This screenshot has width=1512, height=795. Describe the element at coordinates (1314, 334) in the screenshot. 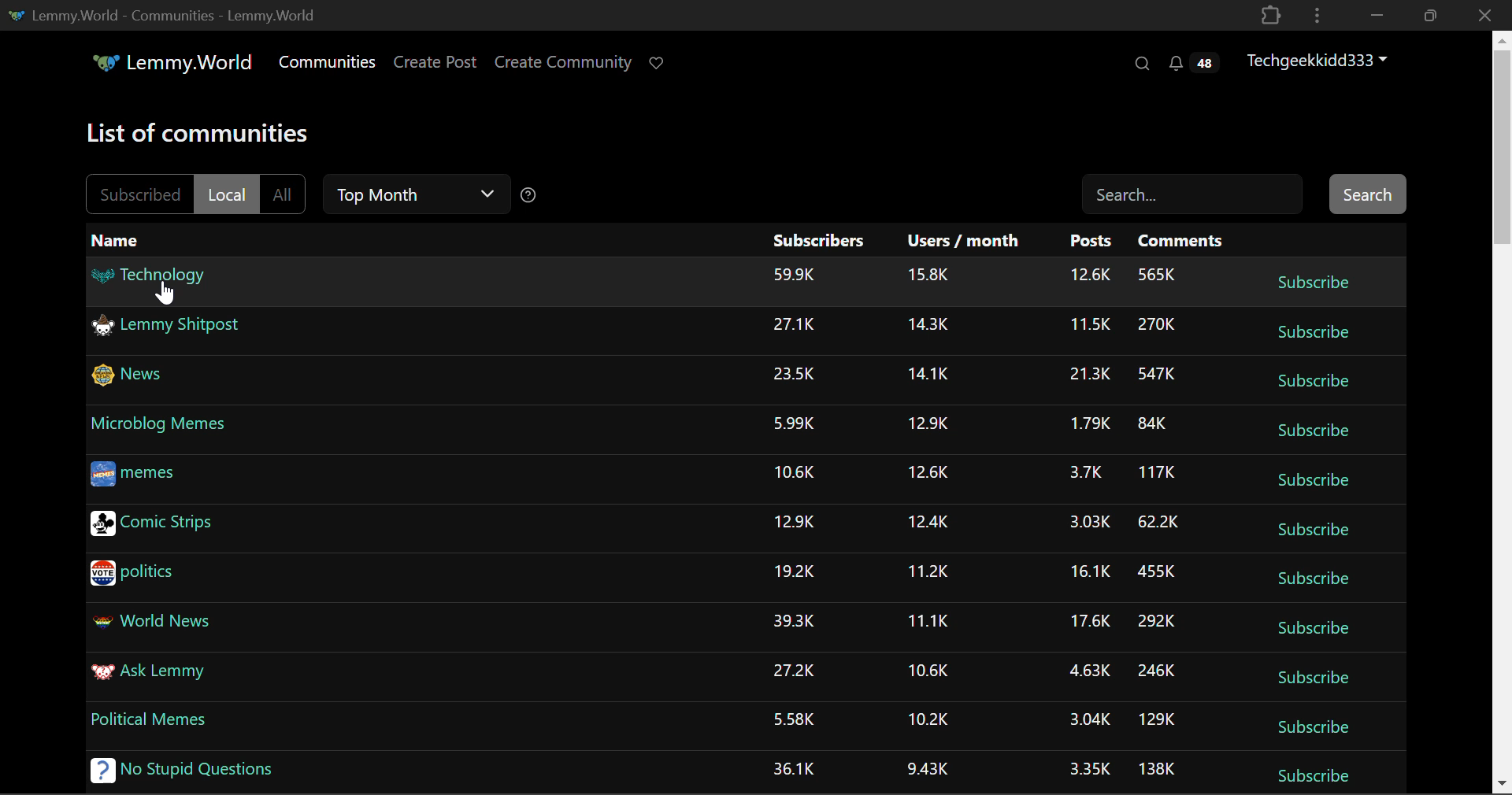

I see `Subscribe` at that location.